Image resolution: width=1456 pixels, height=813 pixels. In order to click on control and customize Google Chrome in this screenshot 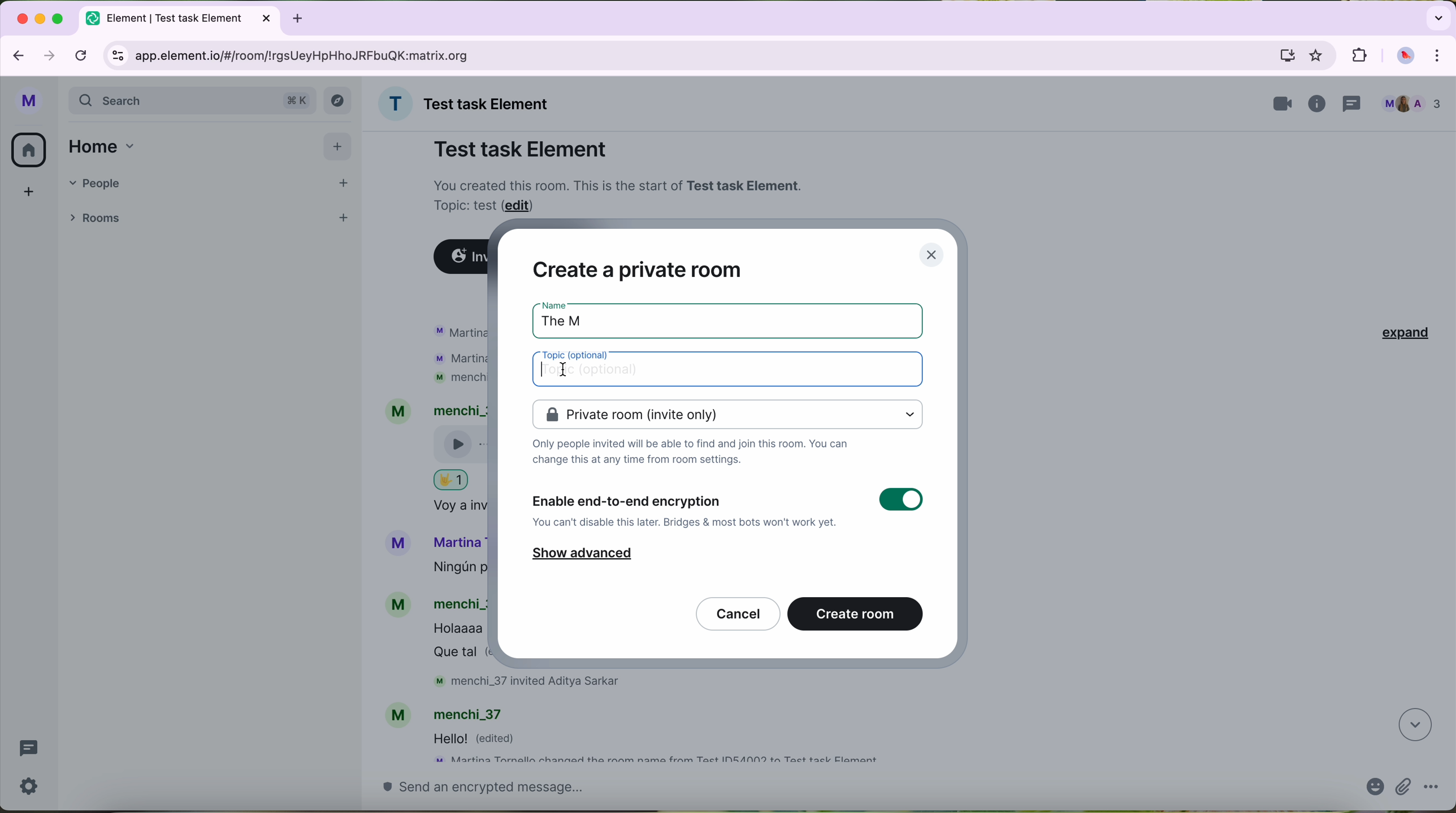, I will do `click(1443, 56)`.